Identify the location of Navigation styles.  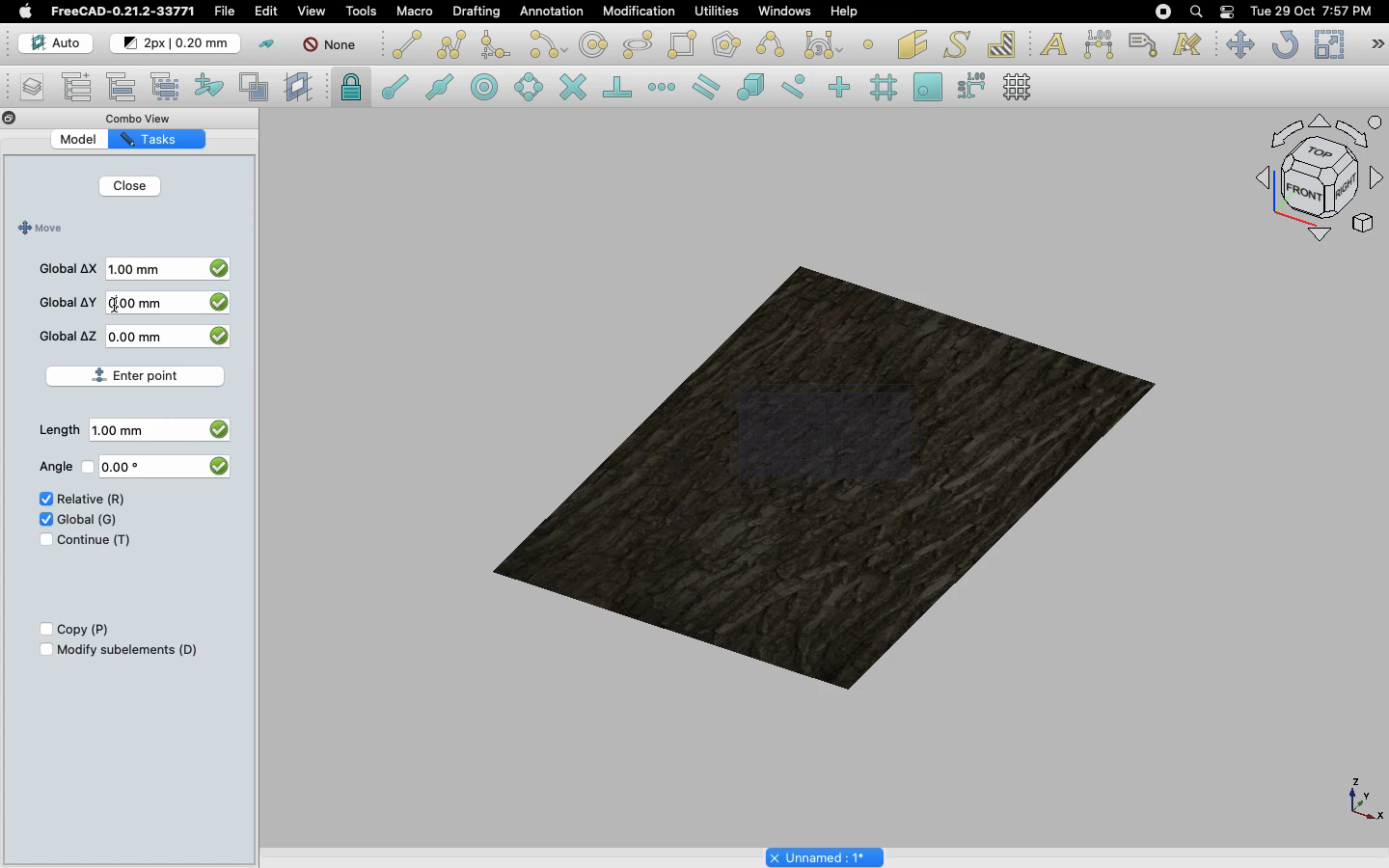
(1318, 181).